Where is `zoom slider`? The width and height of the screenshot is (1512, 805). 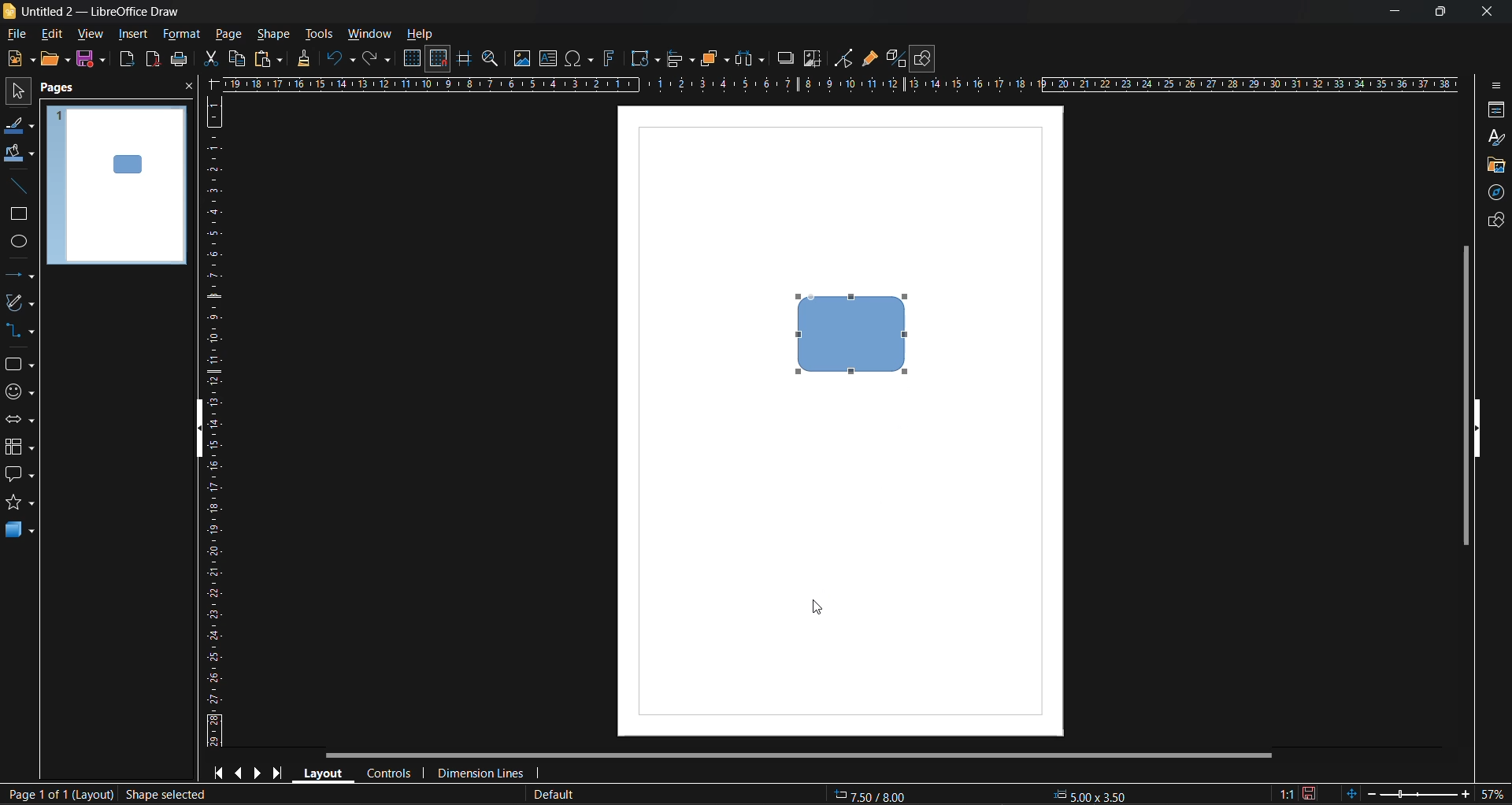
zoom slider is located at coordinates (1416, 793).